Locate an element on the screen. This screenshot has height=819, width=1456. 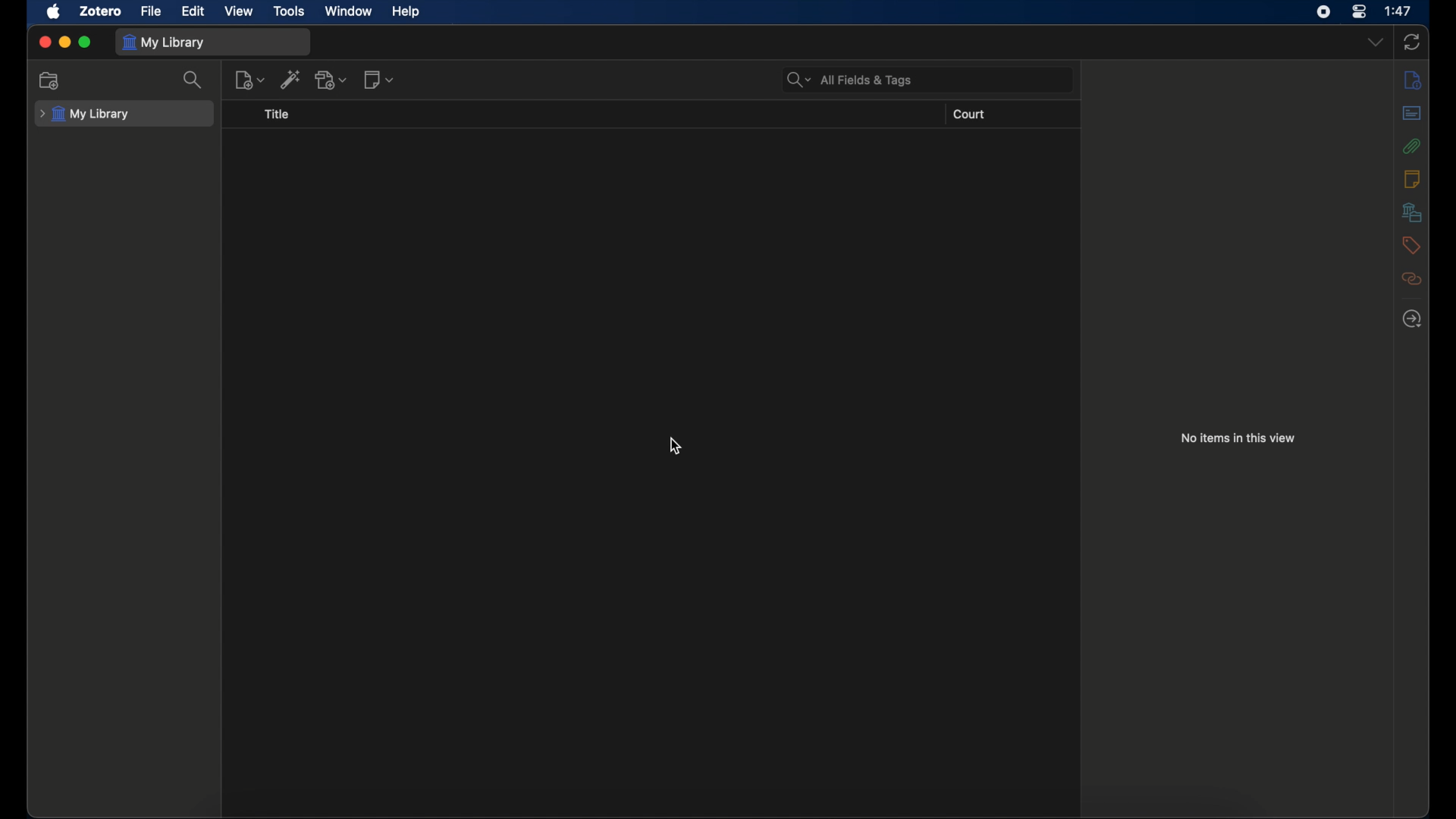
title is located at coordinates (278, 115).